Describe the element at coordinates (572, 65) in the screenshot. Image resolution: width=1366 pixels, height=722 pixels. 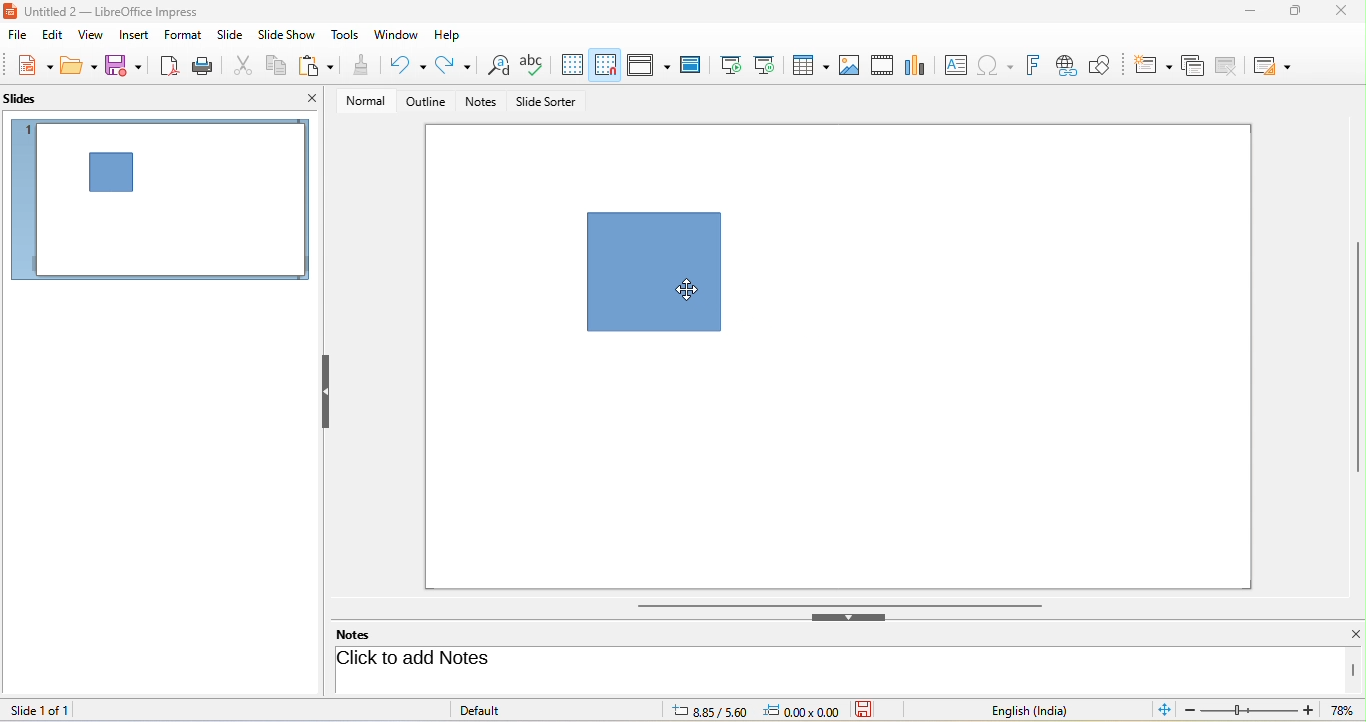
I see `display grid` at that location.